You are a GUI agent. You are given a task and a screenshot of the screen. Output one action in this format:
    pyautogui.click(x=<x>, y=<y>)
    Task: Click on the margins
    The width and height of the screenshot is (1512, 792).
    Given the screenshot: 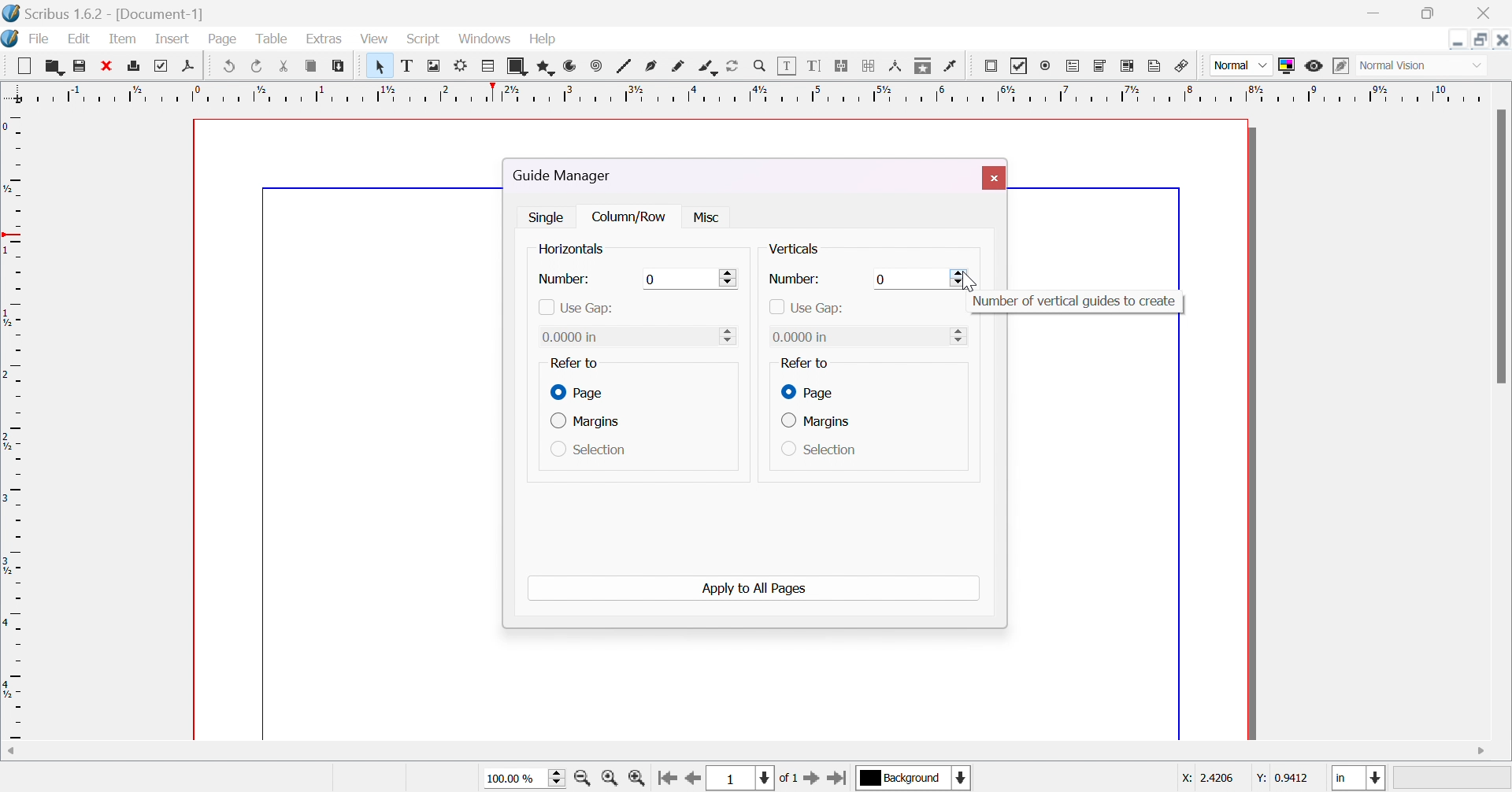 What is the action you would take?
    pyautogui.click(x=590, y=423)
    